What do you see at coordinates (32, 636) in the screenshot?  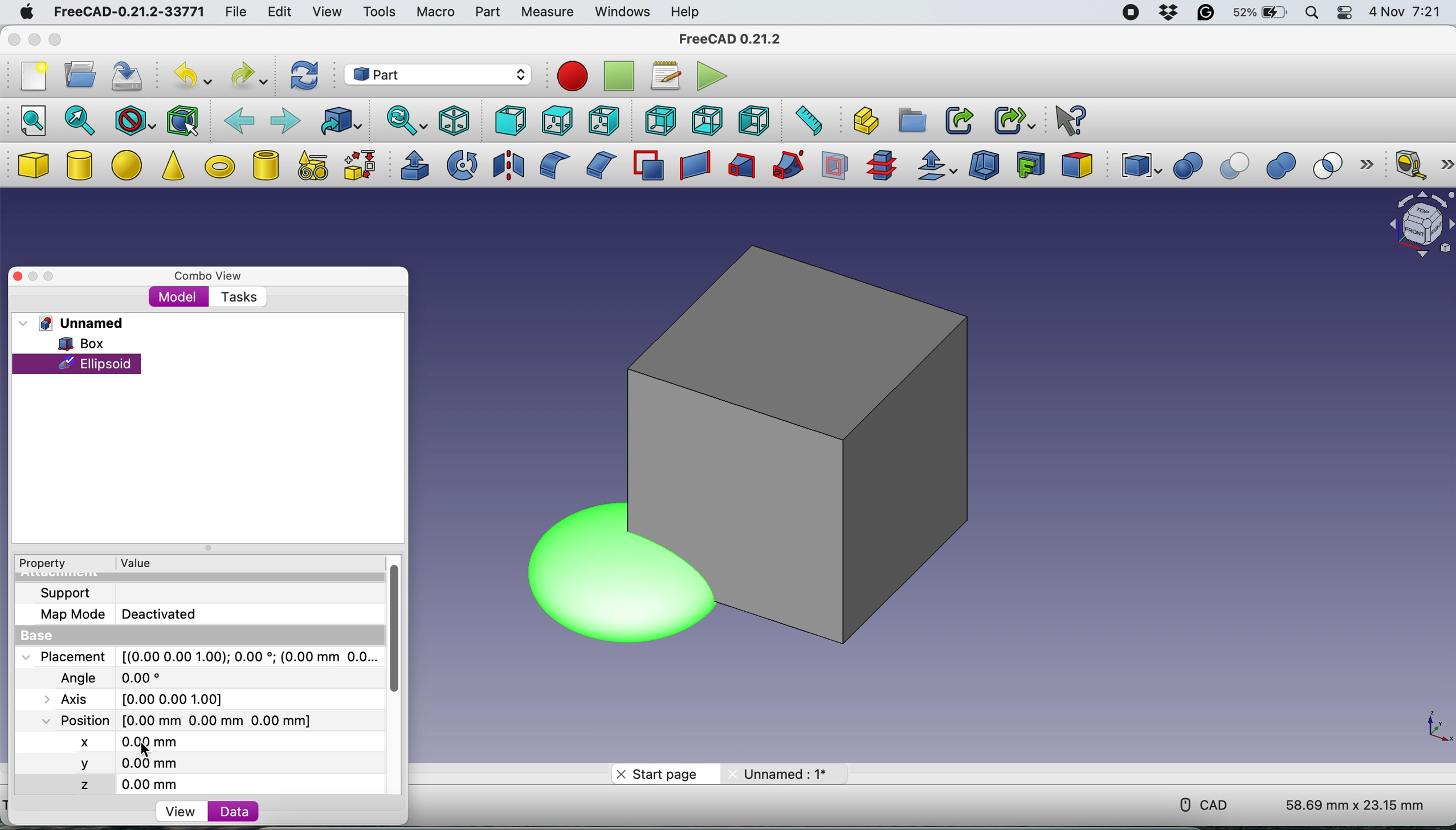 I see `base` at bounding box center [32, 636].